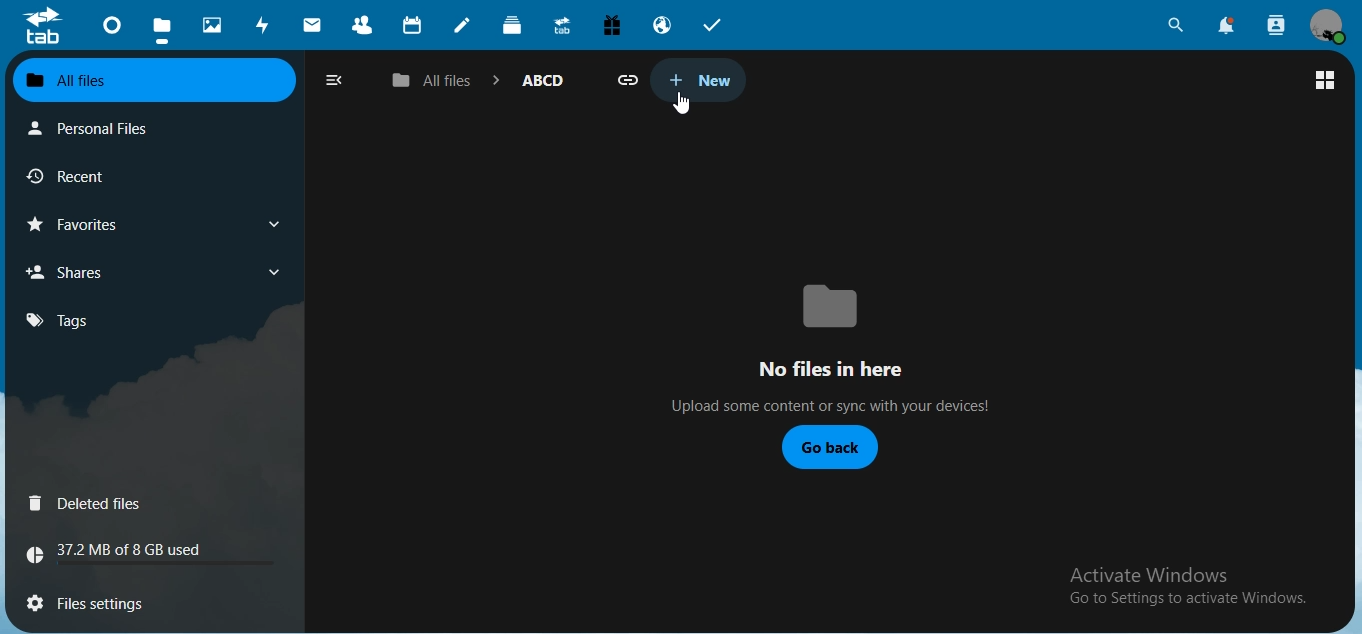 The image size is (1362, 634). I want to click on files, so click(161, 27).